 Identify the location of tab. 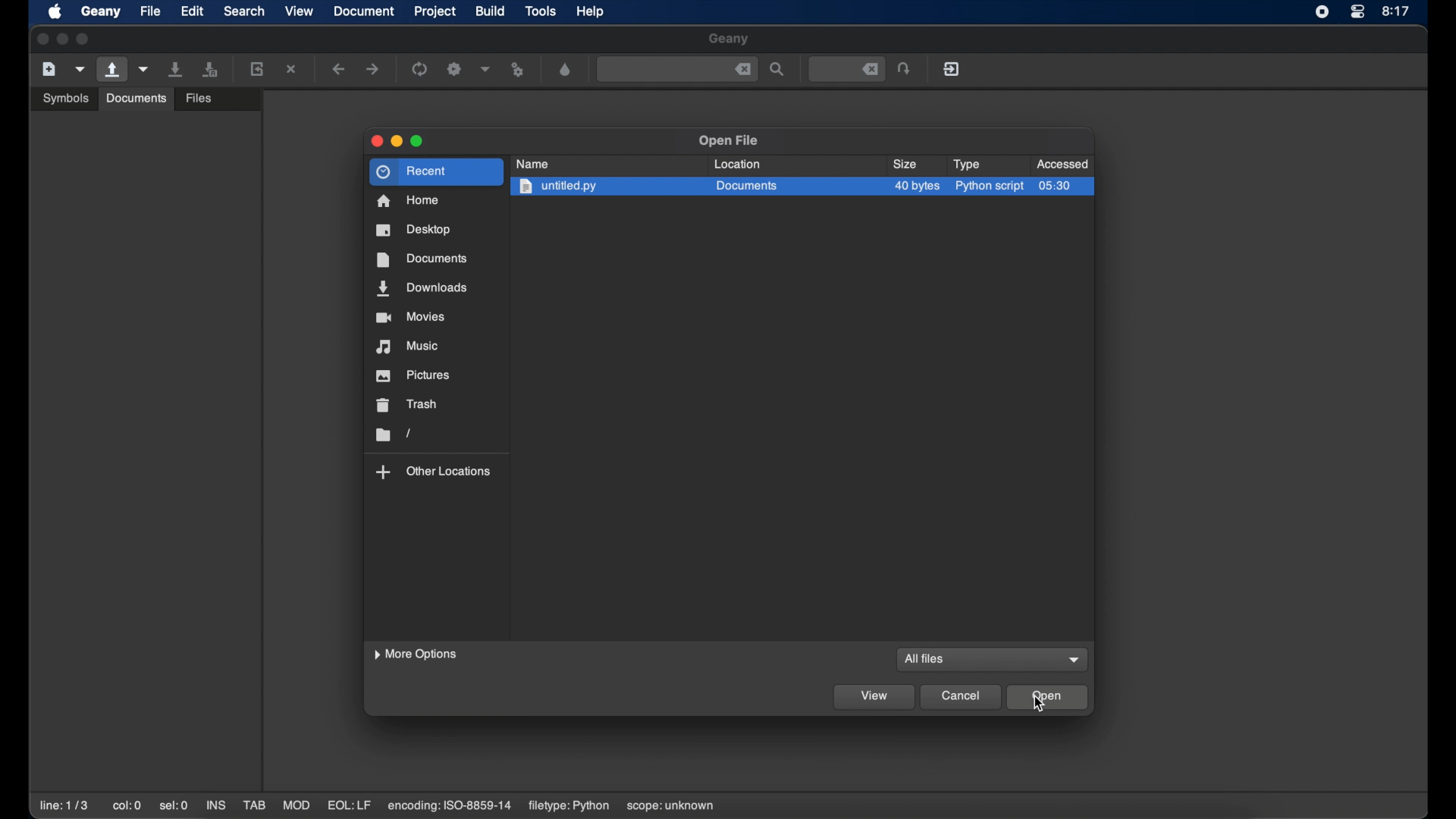
(253, 805).